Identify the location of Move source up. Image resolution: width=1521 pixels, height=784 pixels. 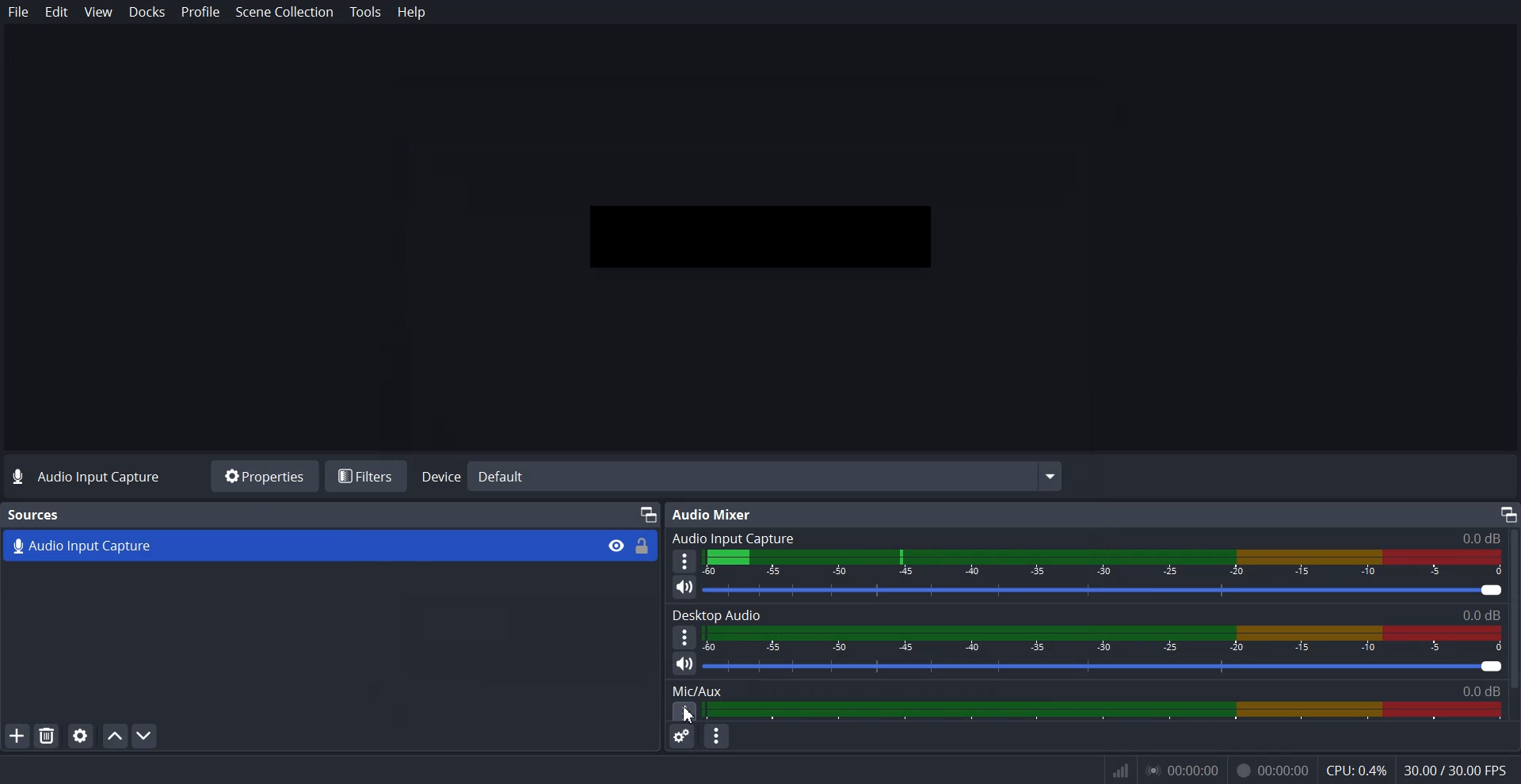
(115, 736).